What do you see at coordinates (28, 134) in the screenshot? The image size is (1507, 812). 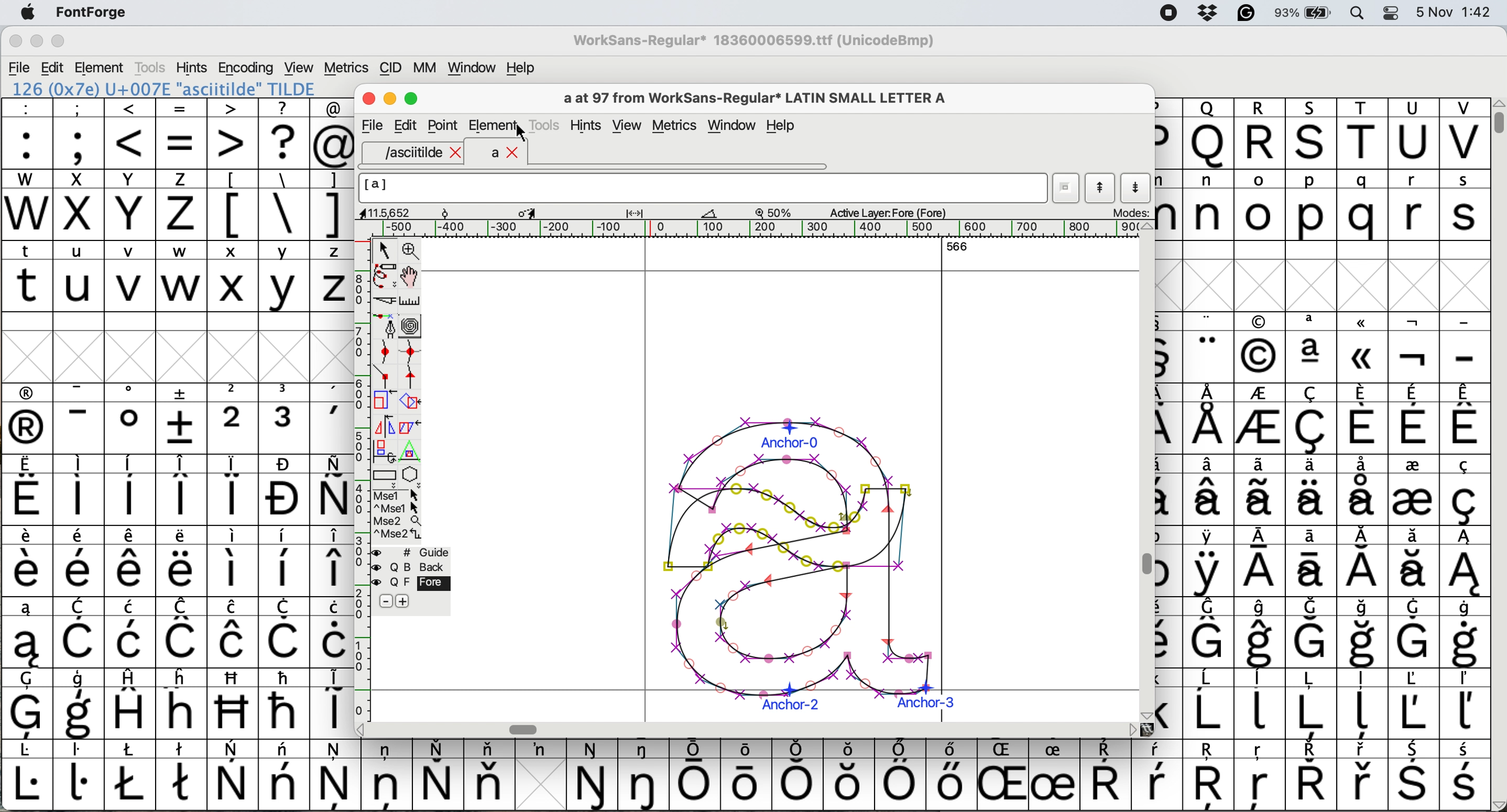 I see `:` at bounding box center [28, 134].